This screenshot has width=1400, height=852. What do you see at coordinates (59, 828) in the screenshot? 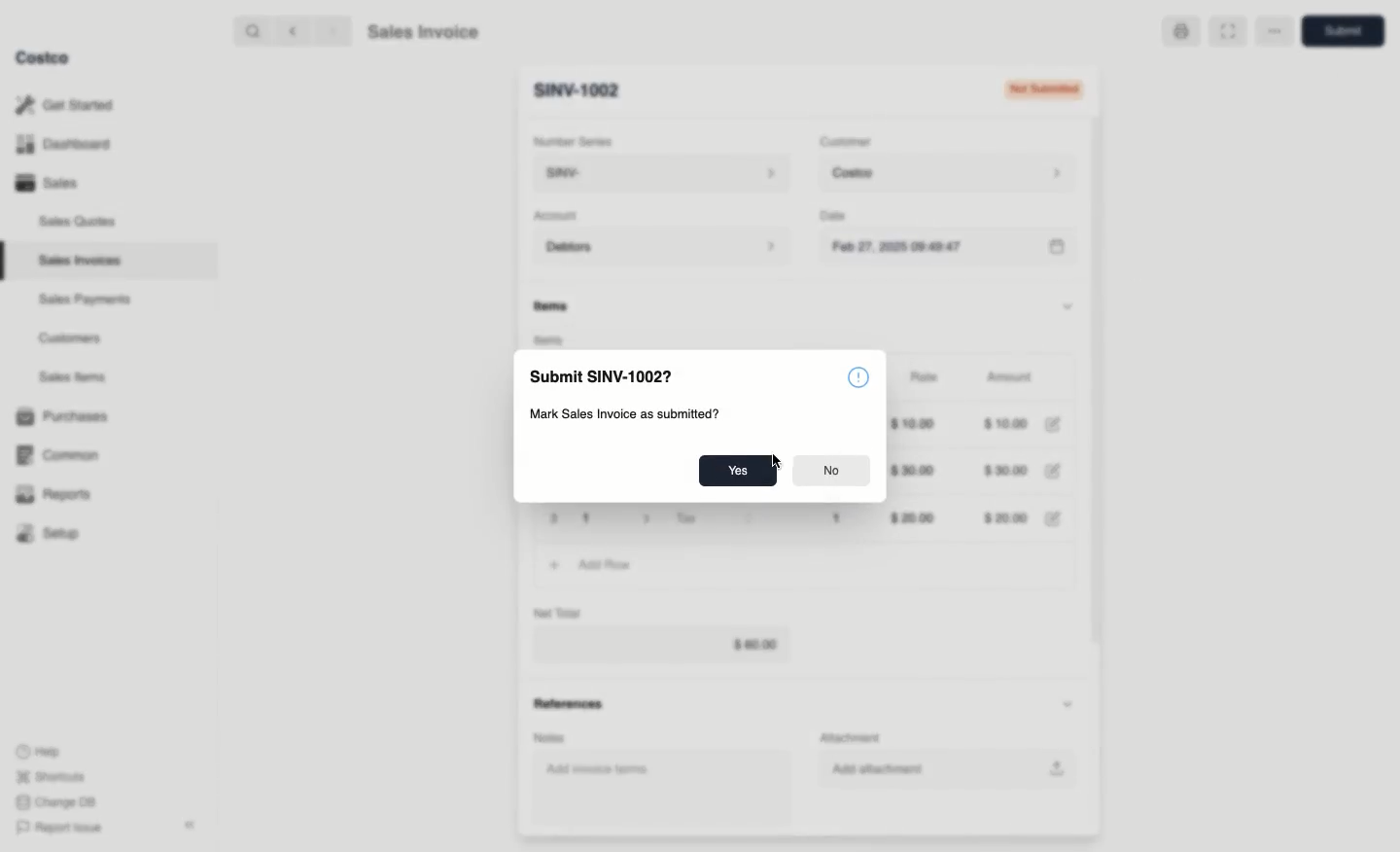
I see `Report Issue` at bounding box center [59, 828].